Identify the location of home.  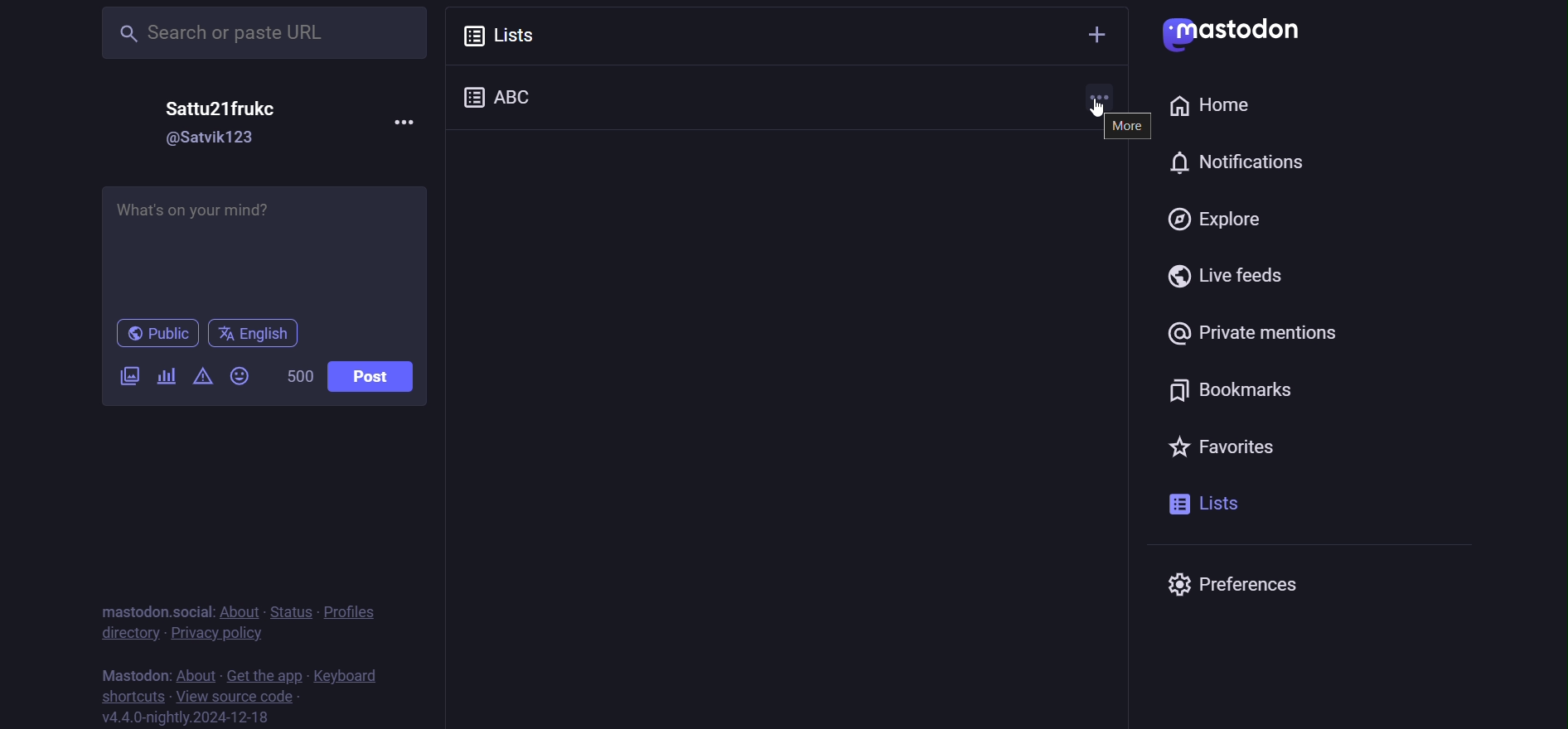
(1208, 106).